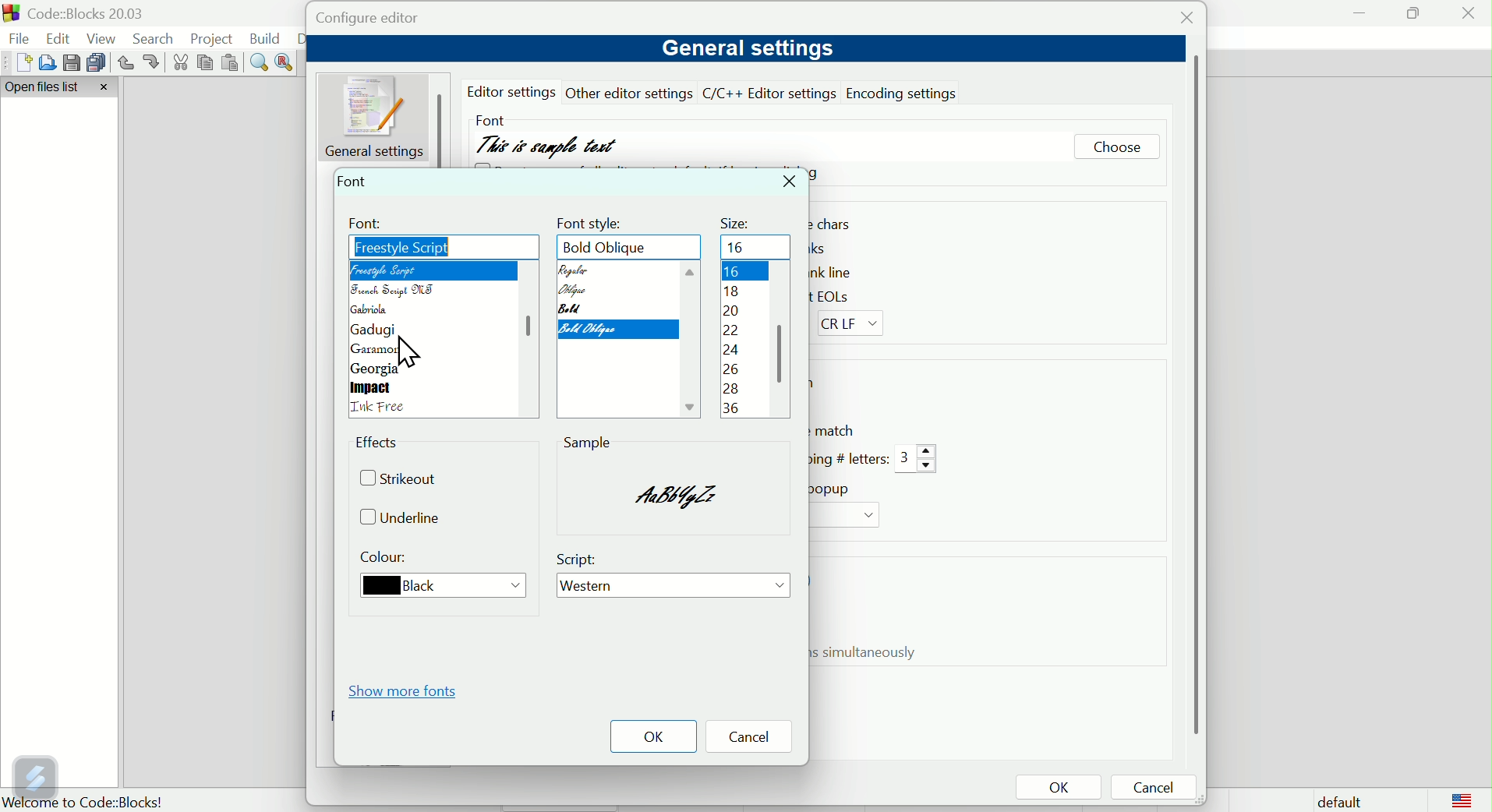 This screenshot has width=1492, height=812. I want to click on Close, so click(1183, 21).